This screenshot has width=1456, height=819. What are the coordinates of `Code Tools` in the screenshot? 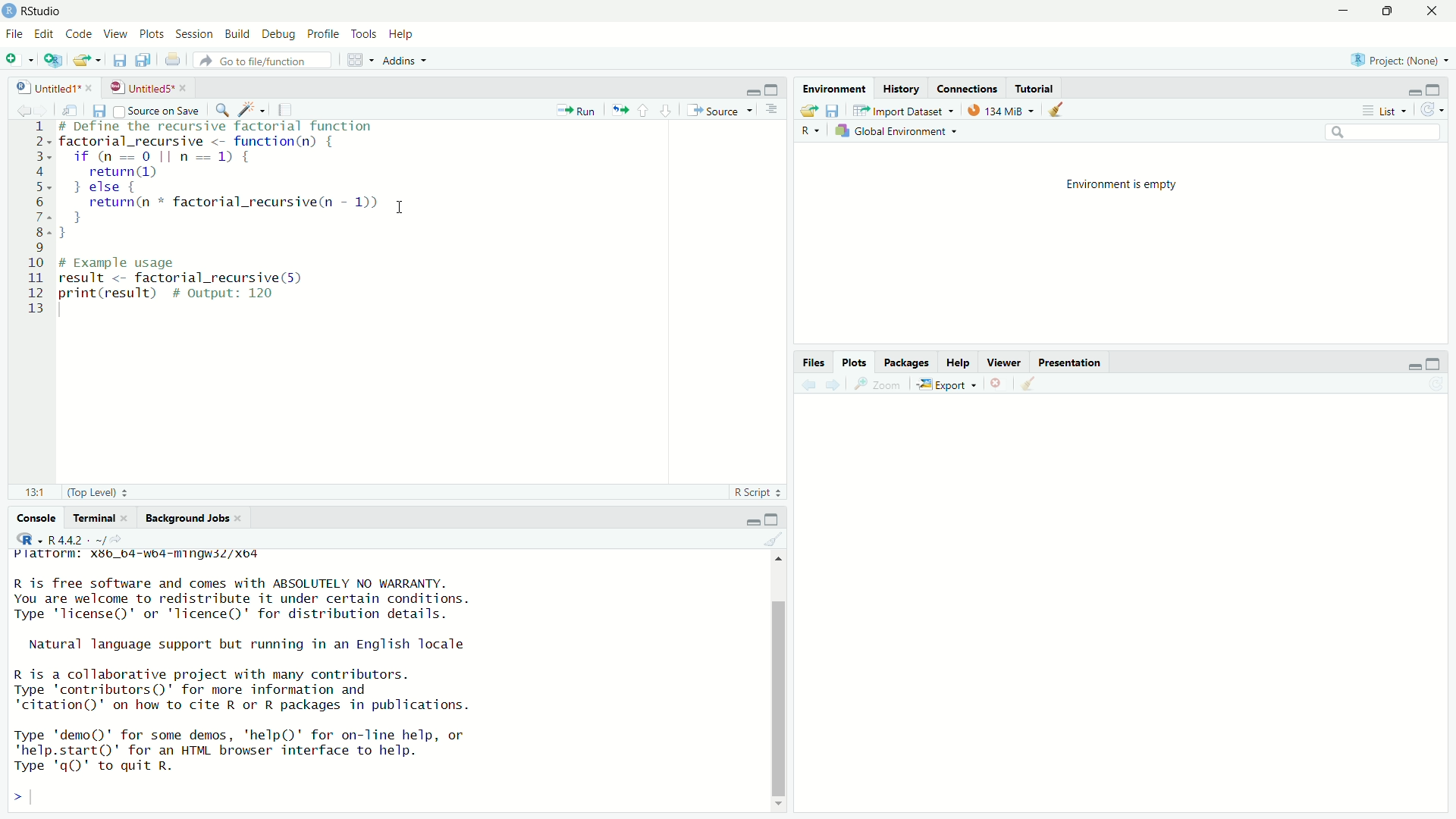 It's located at (254, 108).